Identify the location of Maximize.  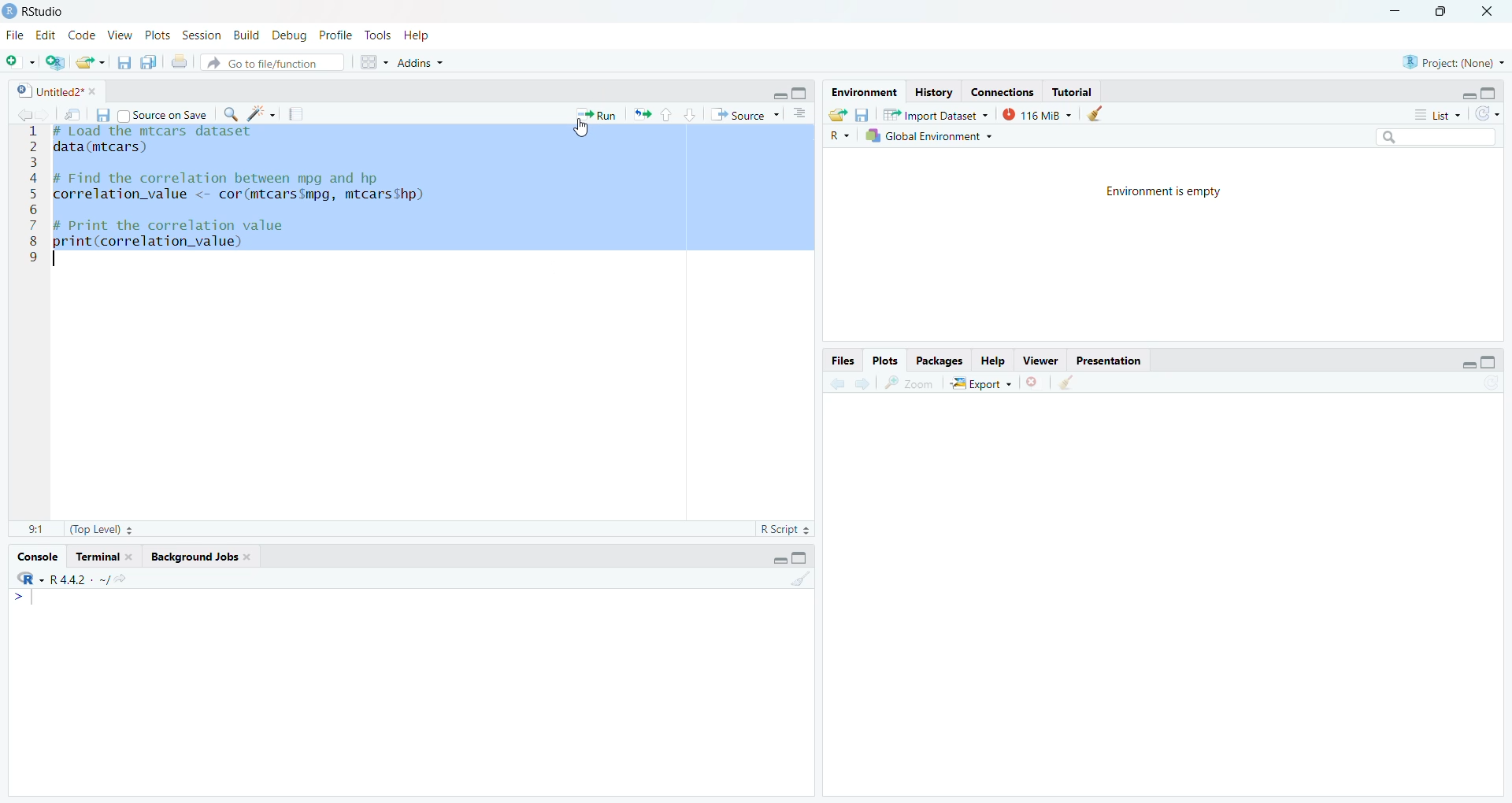
(1492, 93).